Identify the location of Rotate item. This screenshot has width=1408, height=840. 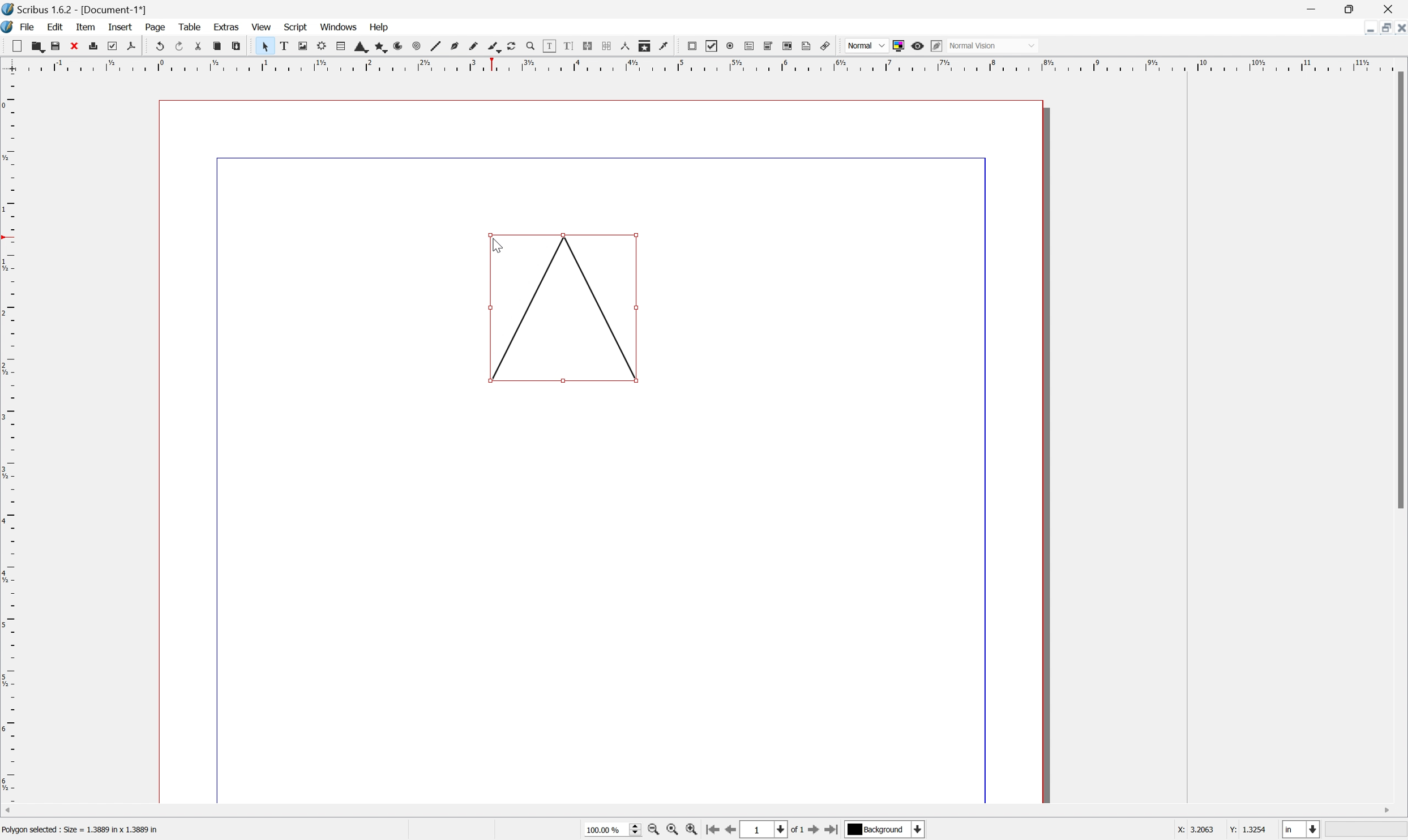
(515, 46).